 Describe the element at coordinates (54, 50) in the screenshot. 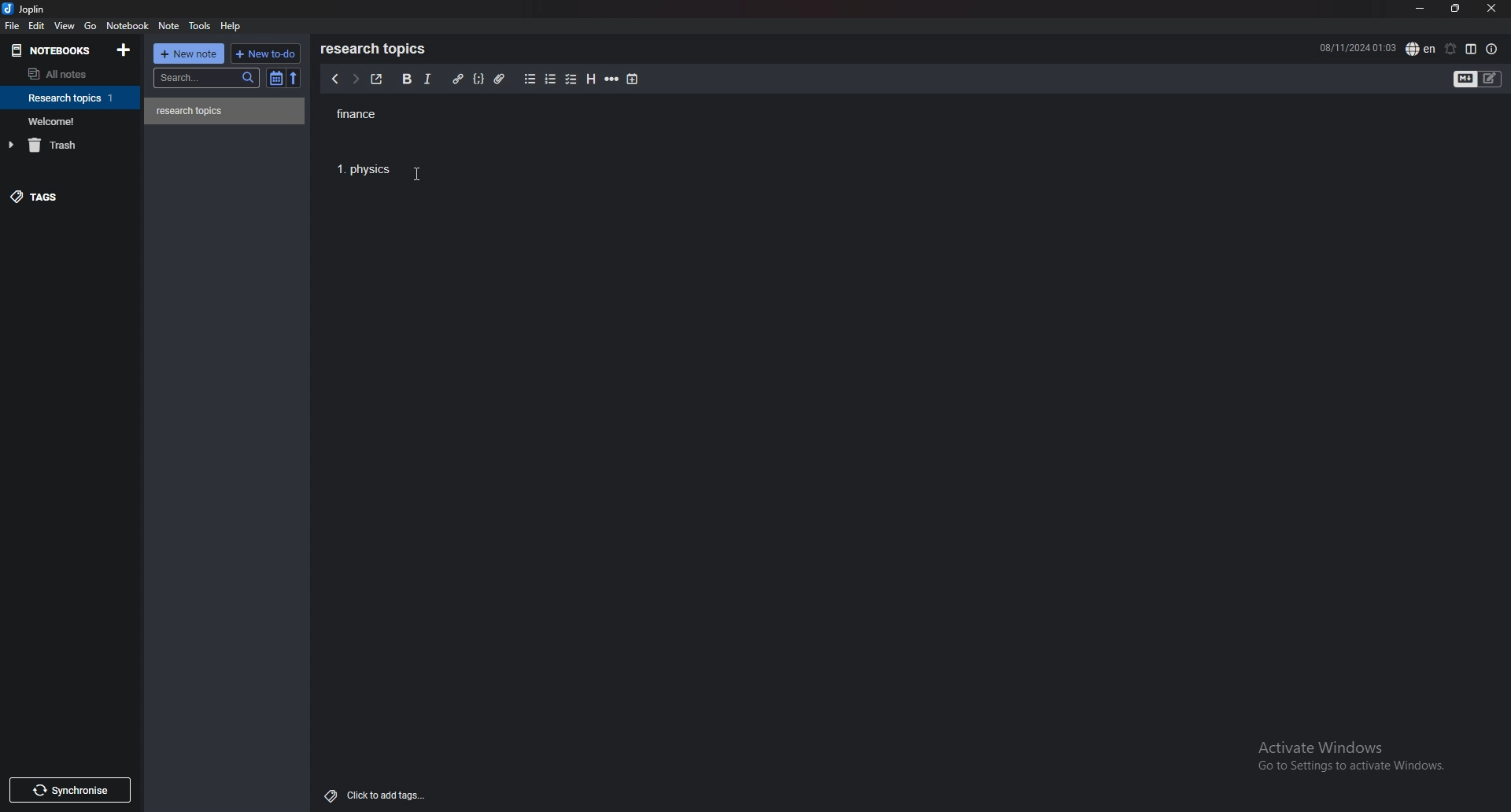

I see `notebooks` at that location.